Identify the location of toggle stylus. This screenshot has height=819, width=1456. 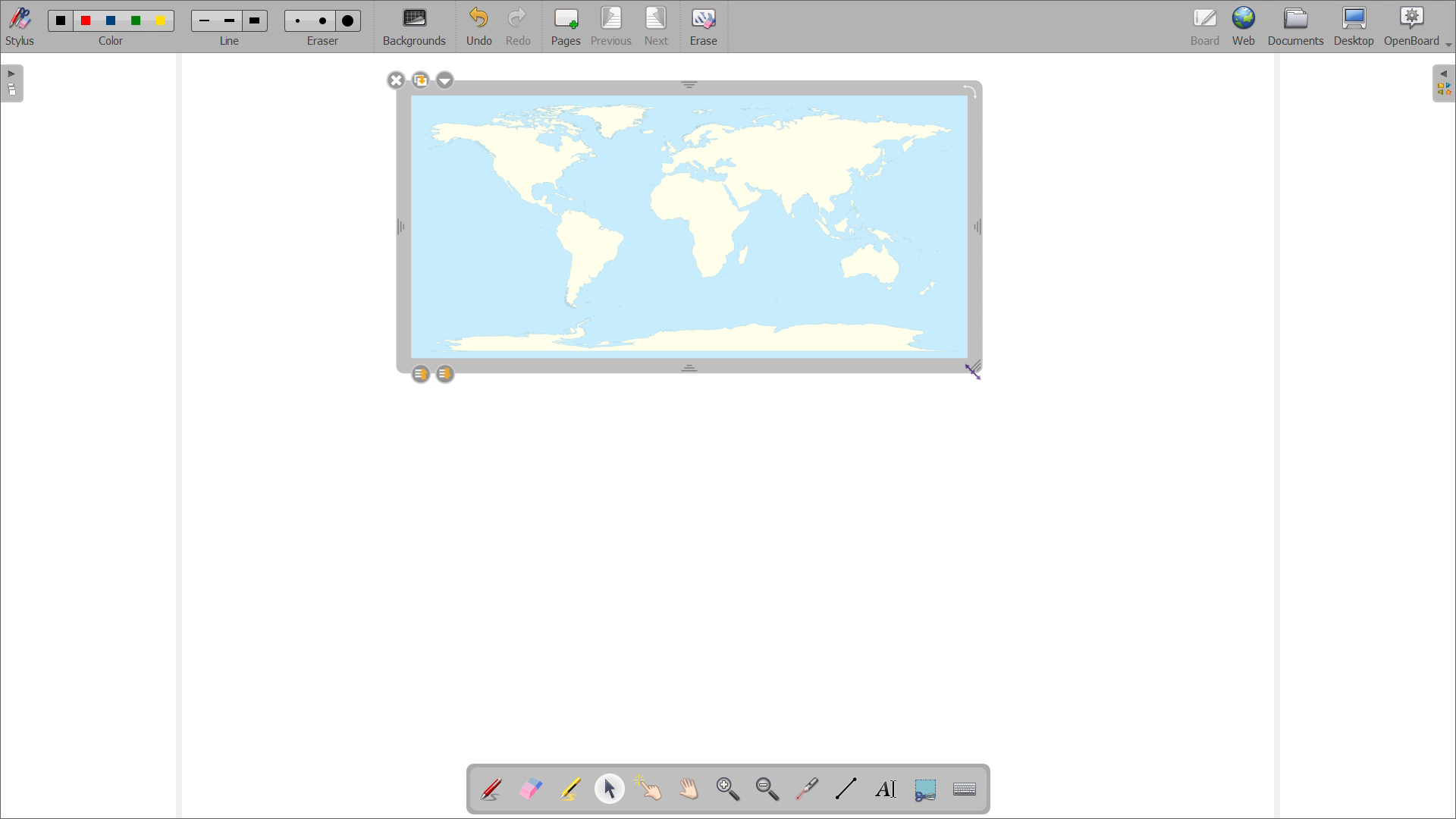
(20, 27).